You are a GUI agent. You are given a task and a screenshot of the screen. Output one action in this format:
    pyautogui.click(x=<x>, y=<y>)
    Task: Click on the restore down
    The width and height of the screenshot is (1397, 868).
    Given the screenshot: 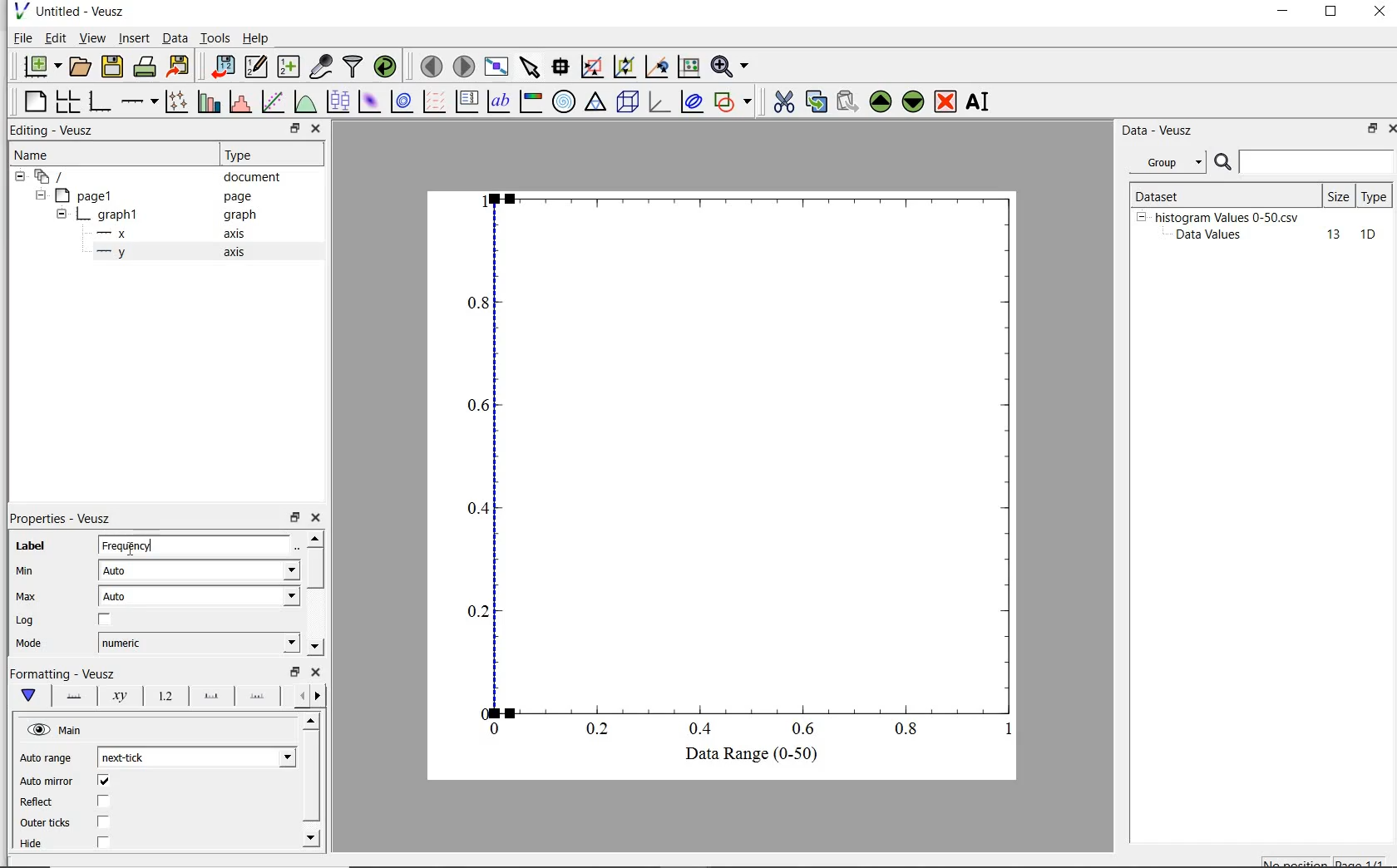 What is the action you would take?
    pyautogui.click(x=295, y=518)
    